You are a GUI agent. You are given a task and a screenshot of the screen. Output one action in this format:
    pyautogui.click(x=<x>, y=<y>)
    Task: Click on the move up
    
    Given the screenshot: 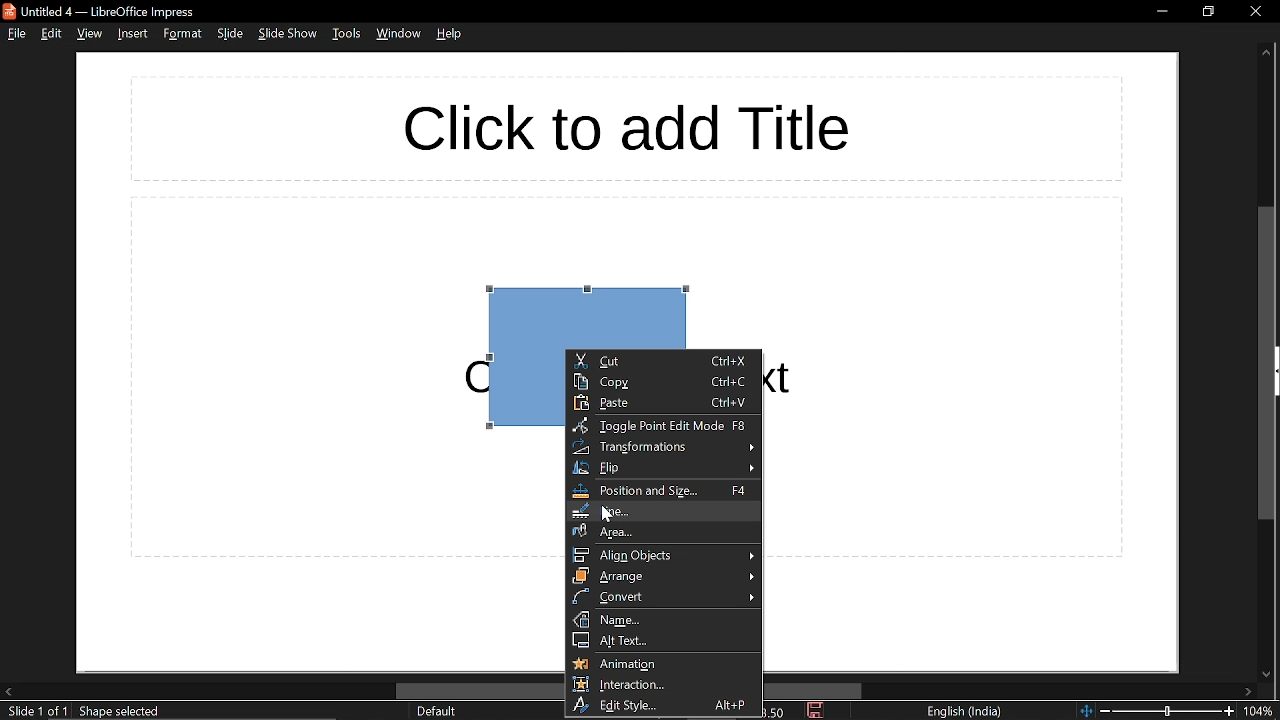 What is the action you would take?
    pyautogui.click(x=1266, y=53)
    